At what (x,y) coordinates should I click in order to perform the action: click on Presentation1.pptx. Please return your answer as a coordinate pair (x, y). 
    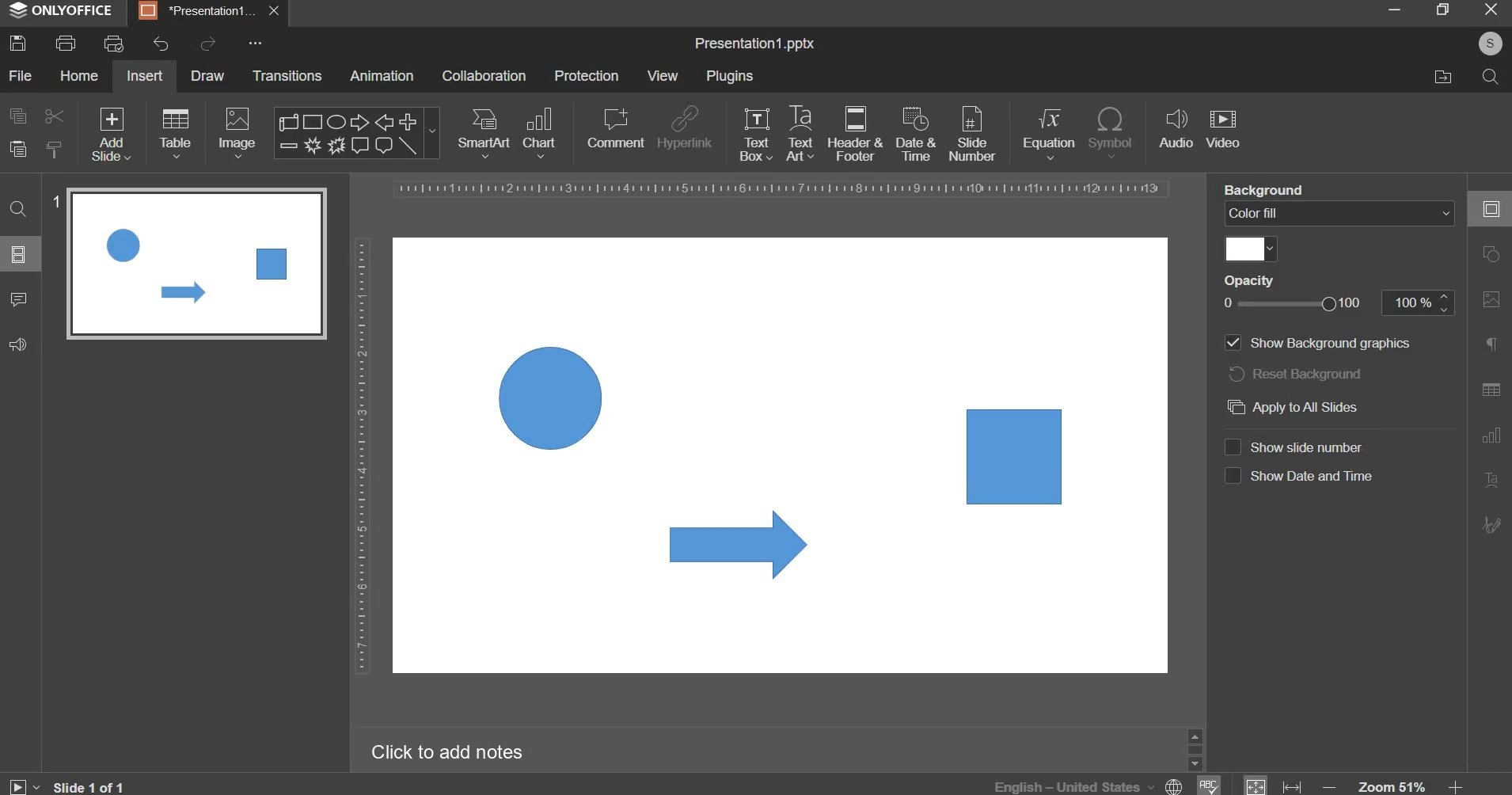
    Looking at the image, I should click on (754, 44).